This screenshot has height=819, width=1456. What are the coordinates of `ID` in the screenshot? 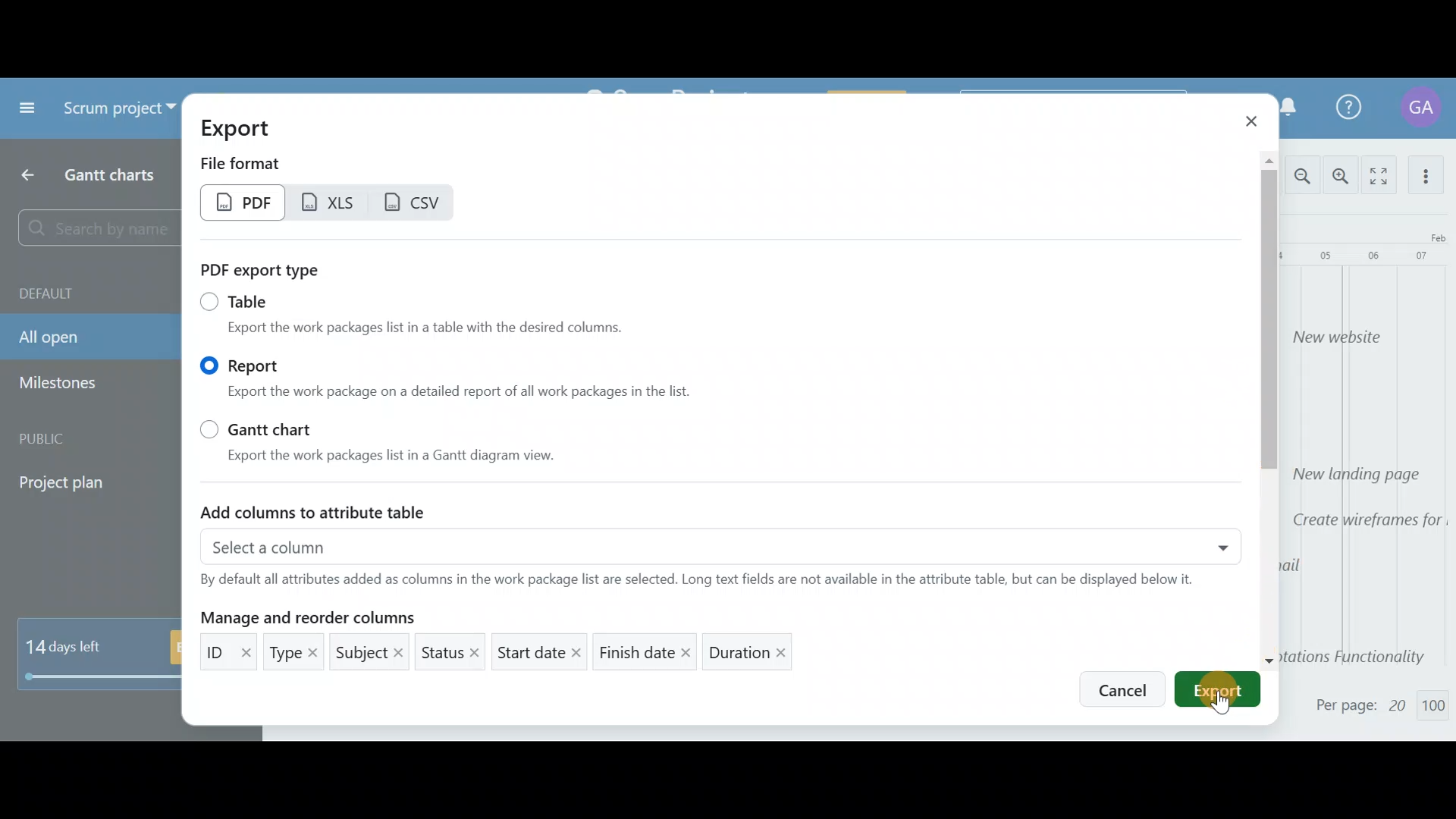 It's located at (229, 654).